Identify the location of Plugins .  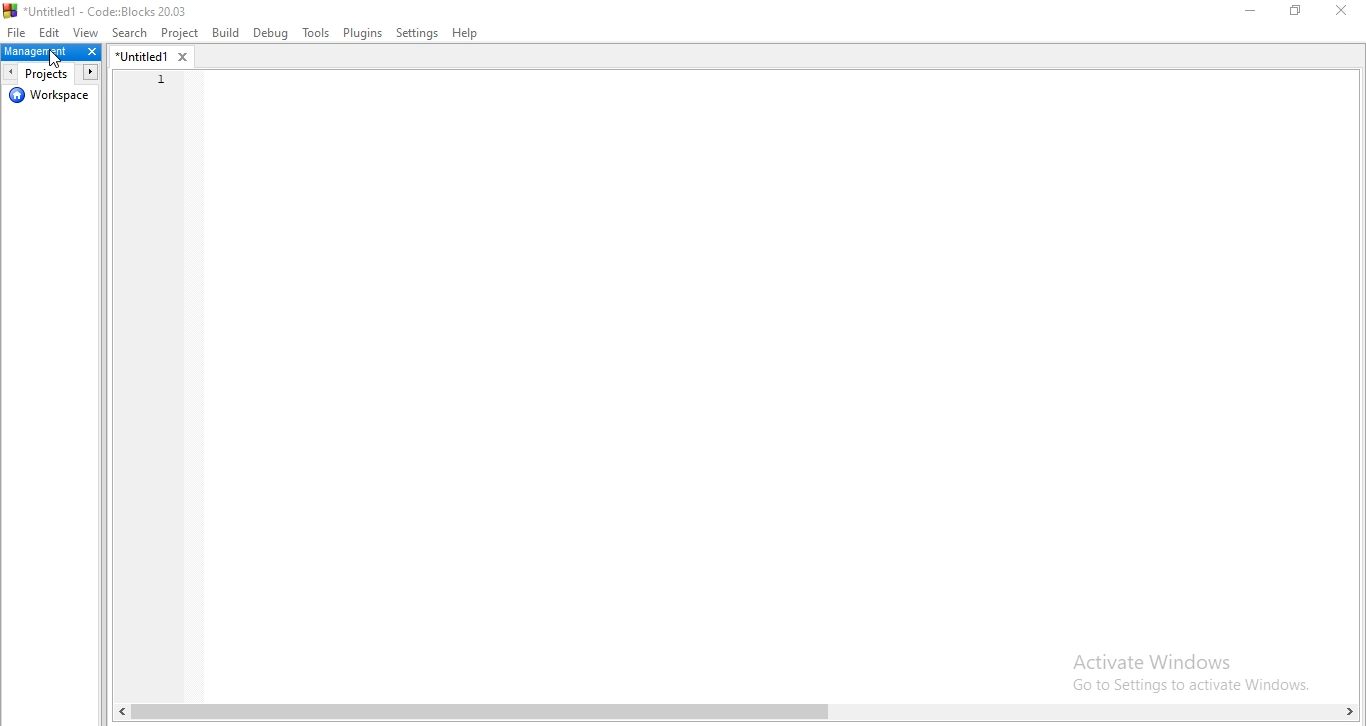
(362, 34).